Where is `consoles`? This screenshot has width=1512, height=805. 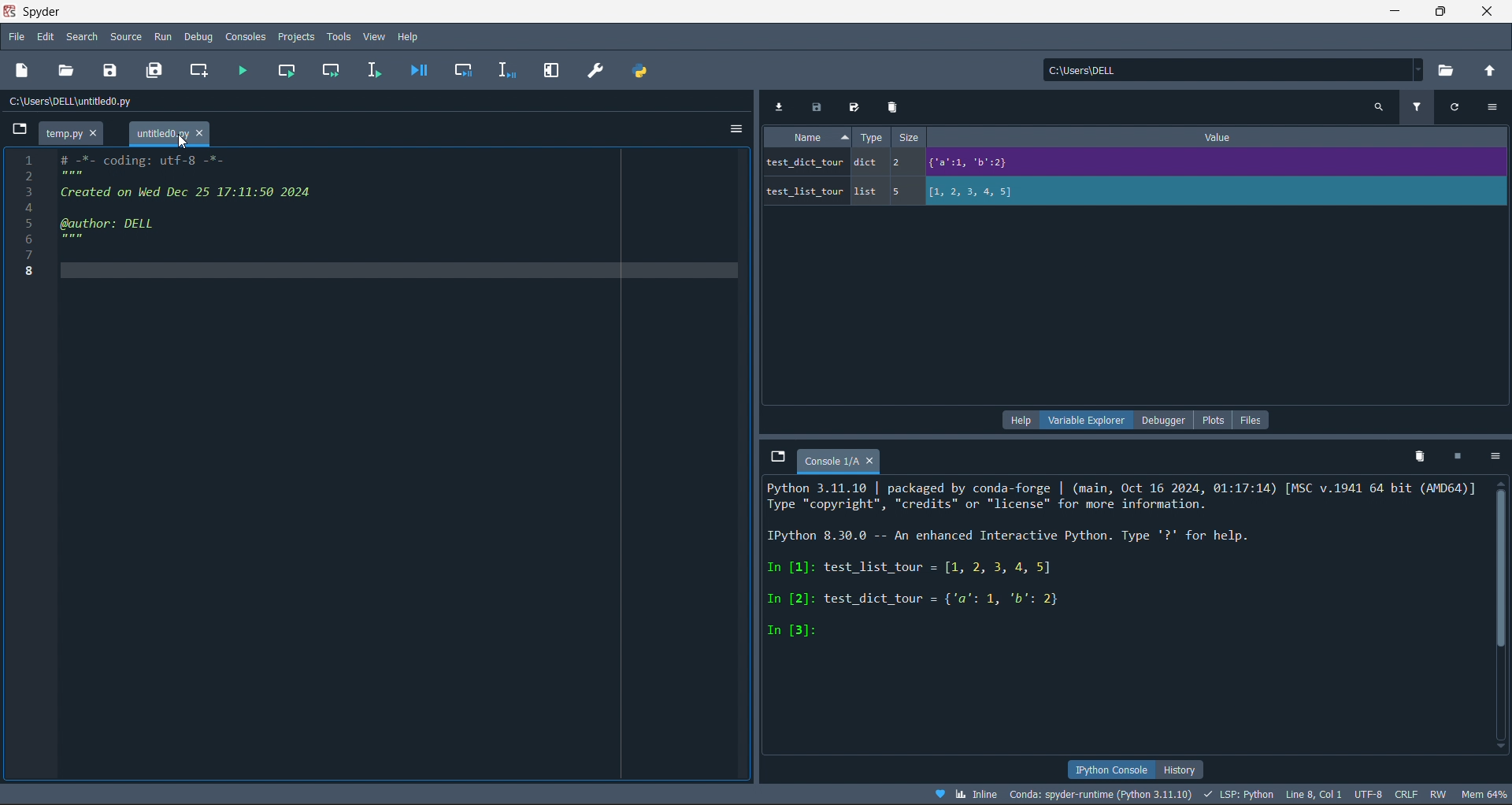 consoles is located at coordinates (243, 36).